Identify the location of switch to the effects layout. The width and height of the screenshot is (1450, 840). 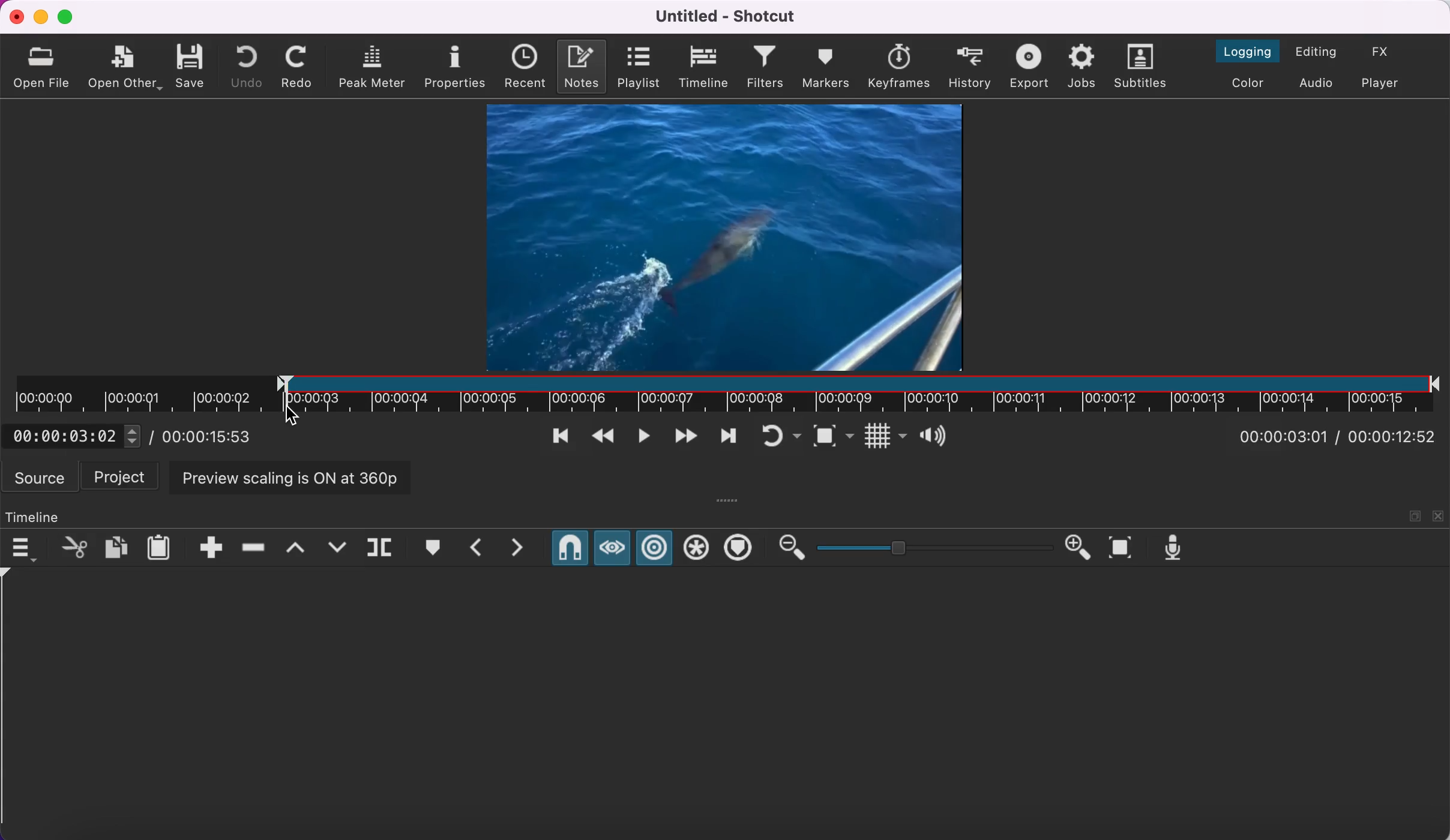
(1384, 53).